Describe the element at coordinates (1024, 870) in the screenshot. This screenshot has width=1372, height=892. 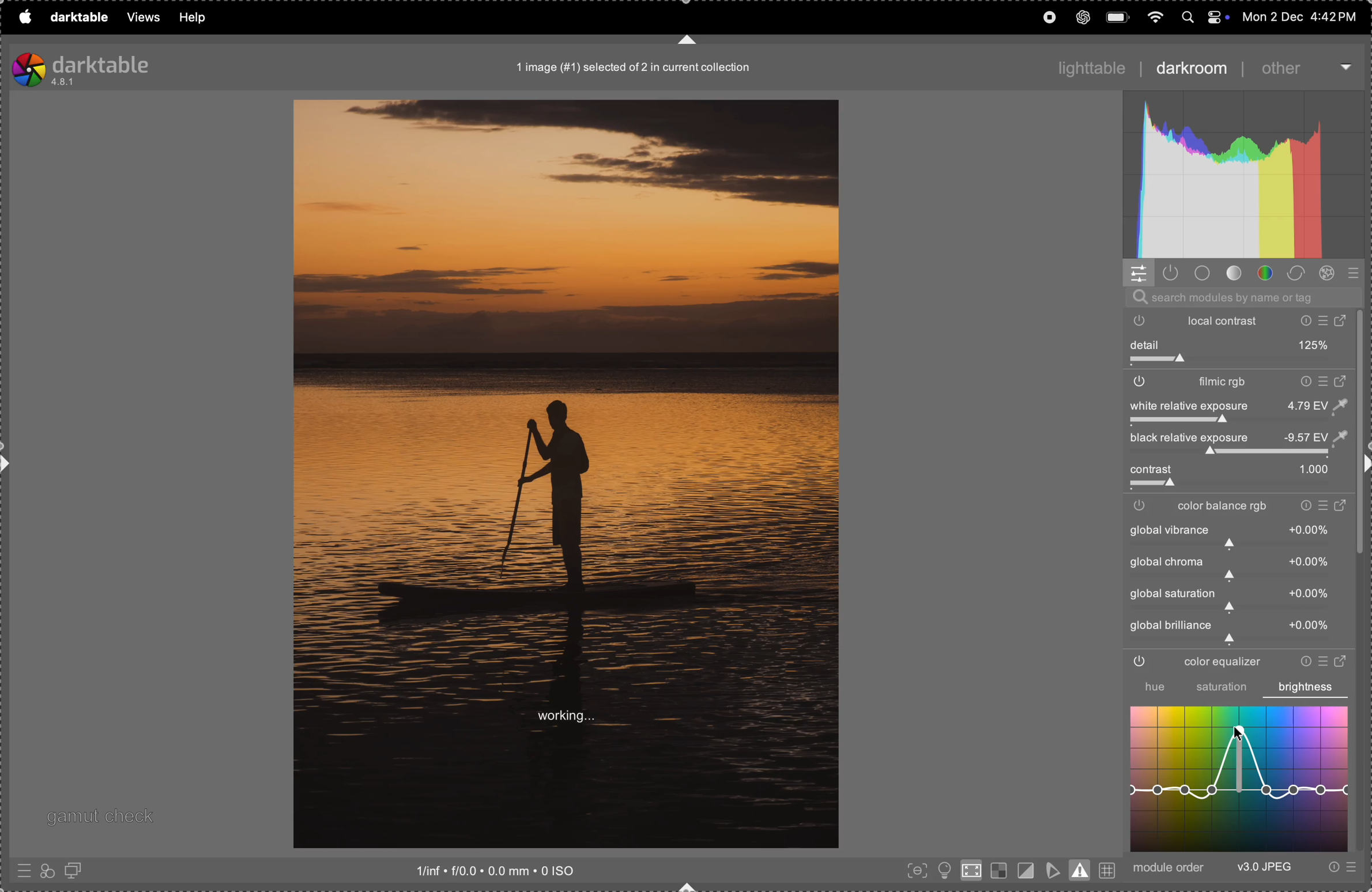
I see `toggle clipping indication` at that location.